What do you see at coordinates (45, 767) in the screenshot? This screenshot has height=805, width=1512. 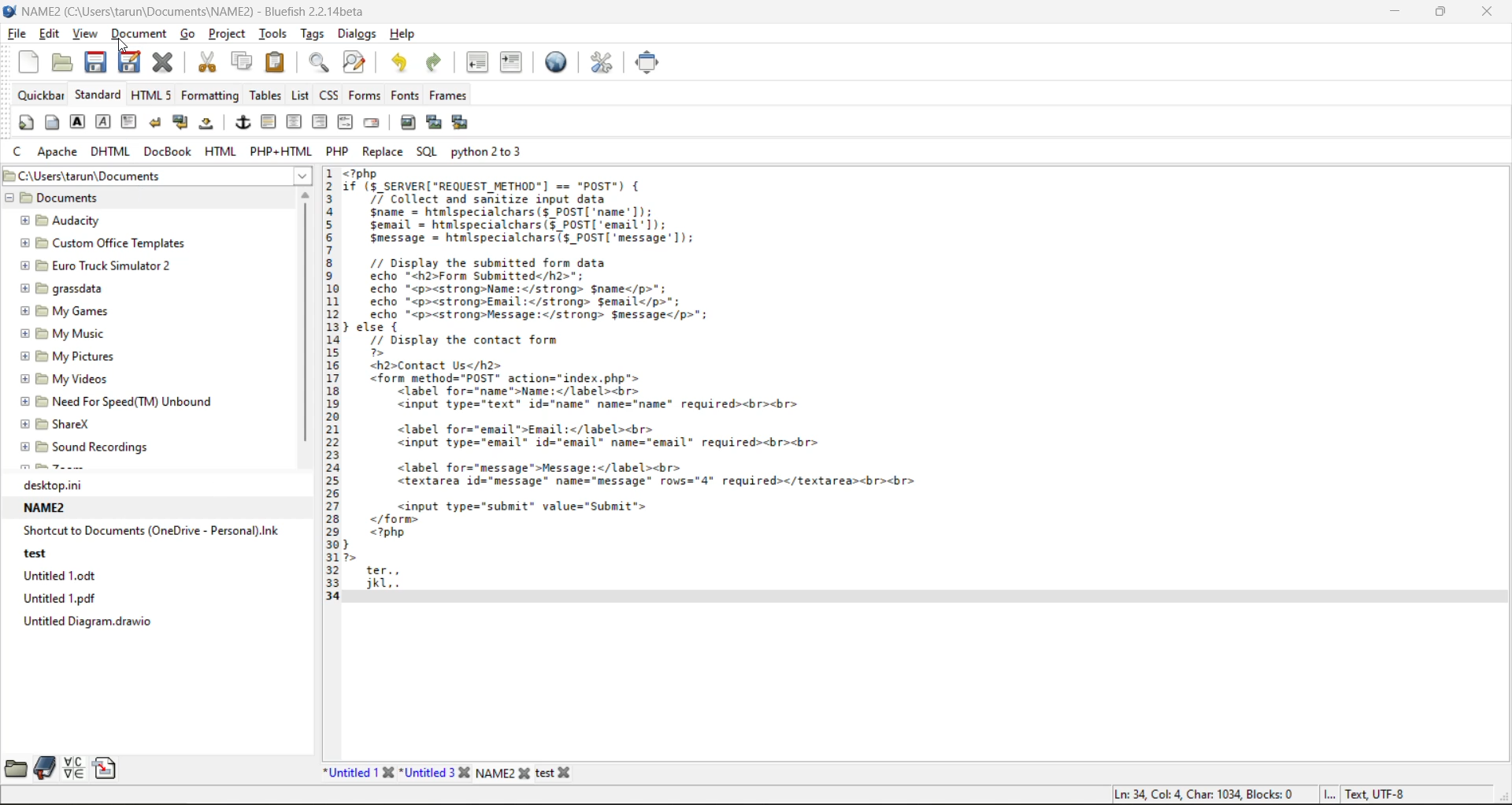 I see `bookmarks` at bounding box center [45, 767].